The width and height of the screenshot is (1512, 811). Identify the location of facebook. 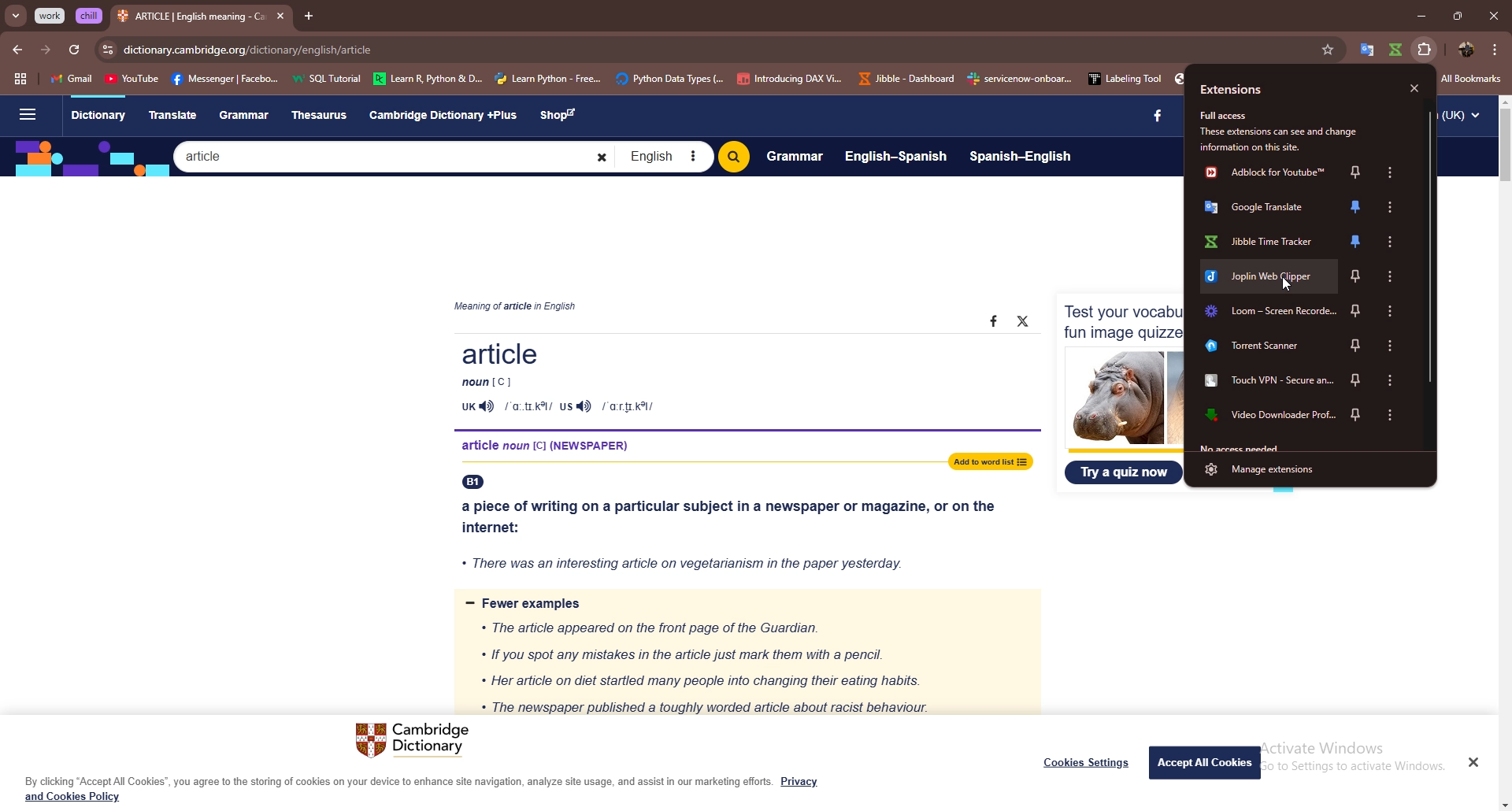
(1151, 117).